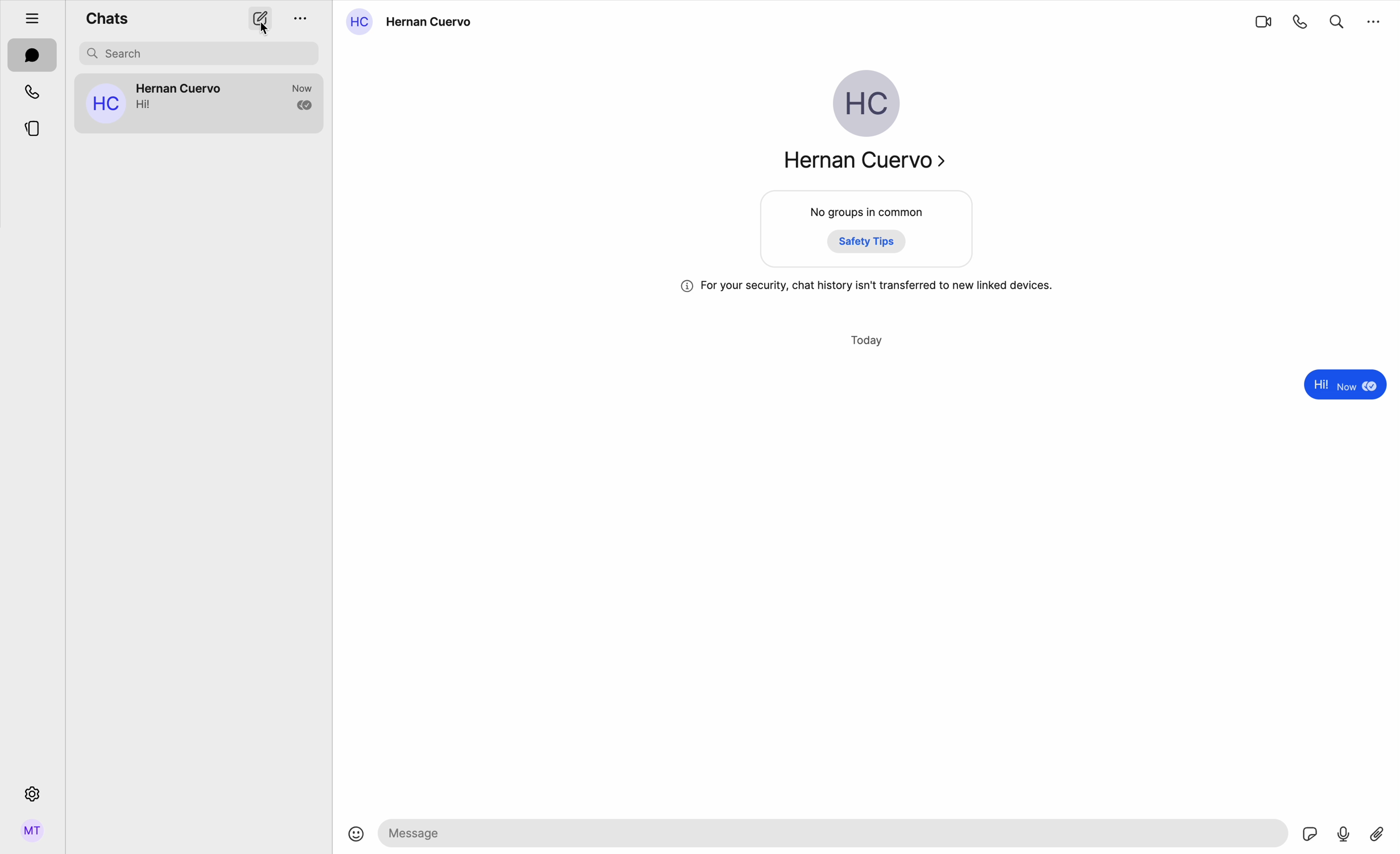 The height and width of the screenshot is (854, 1400). I want to click on hide tabs, so click(26, 15).